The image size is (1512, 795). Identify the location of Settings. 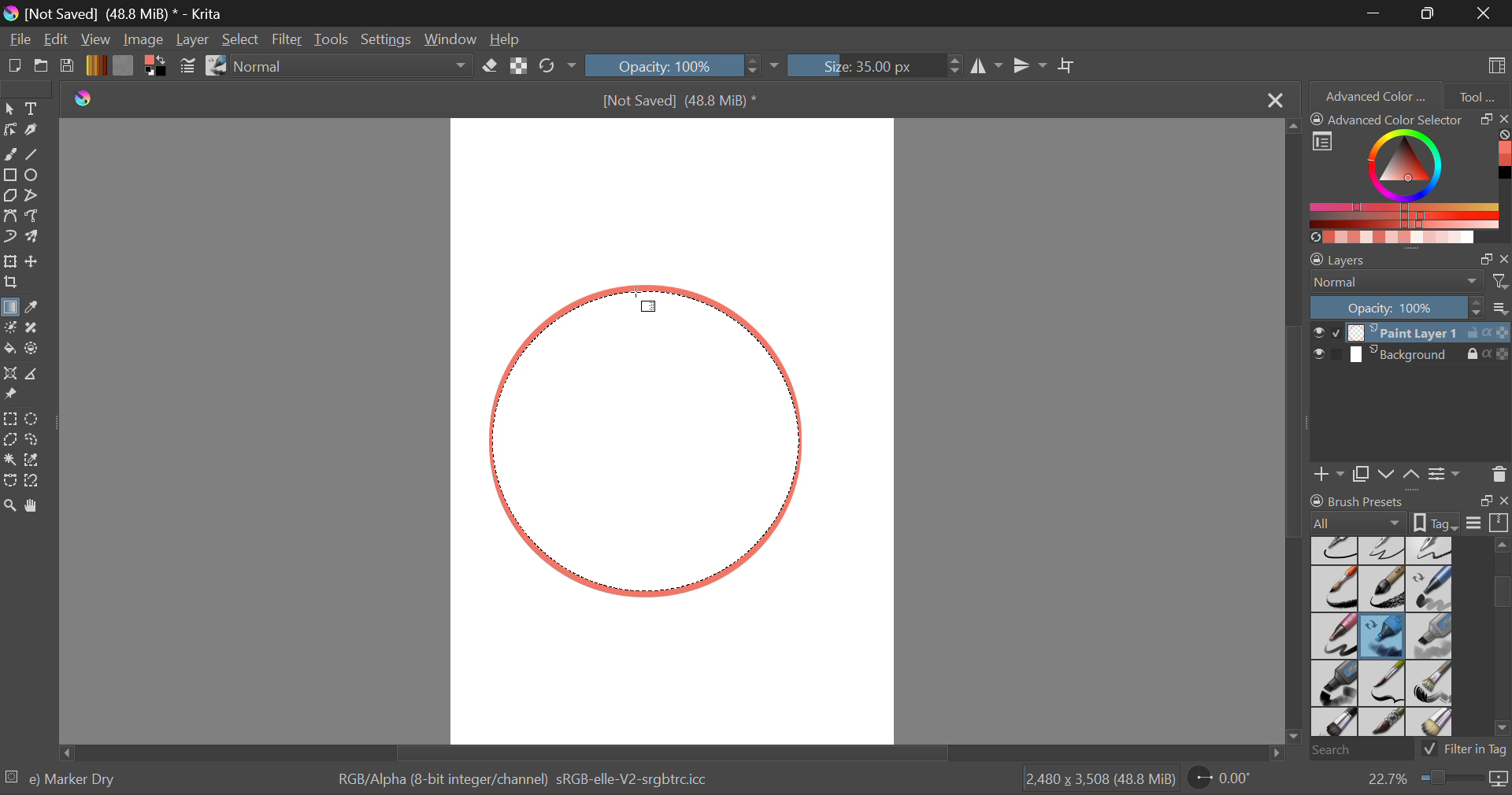
(390, 39).